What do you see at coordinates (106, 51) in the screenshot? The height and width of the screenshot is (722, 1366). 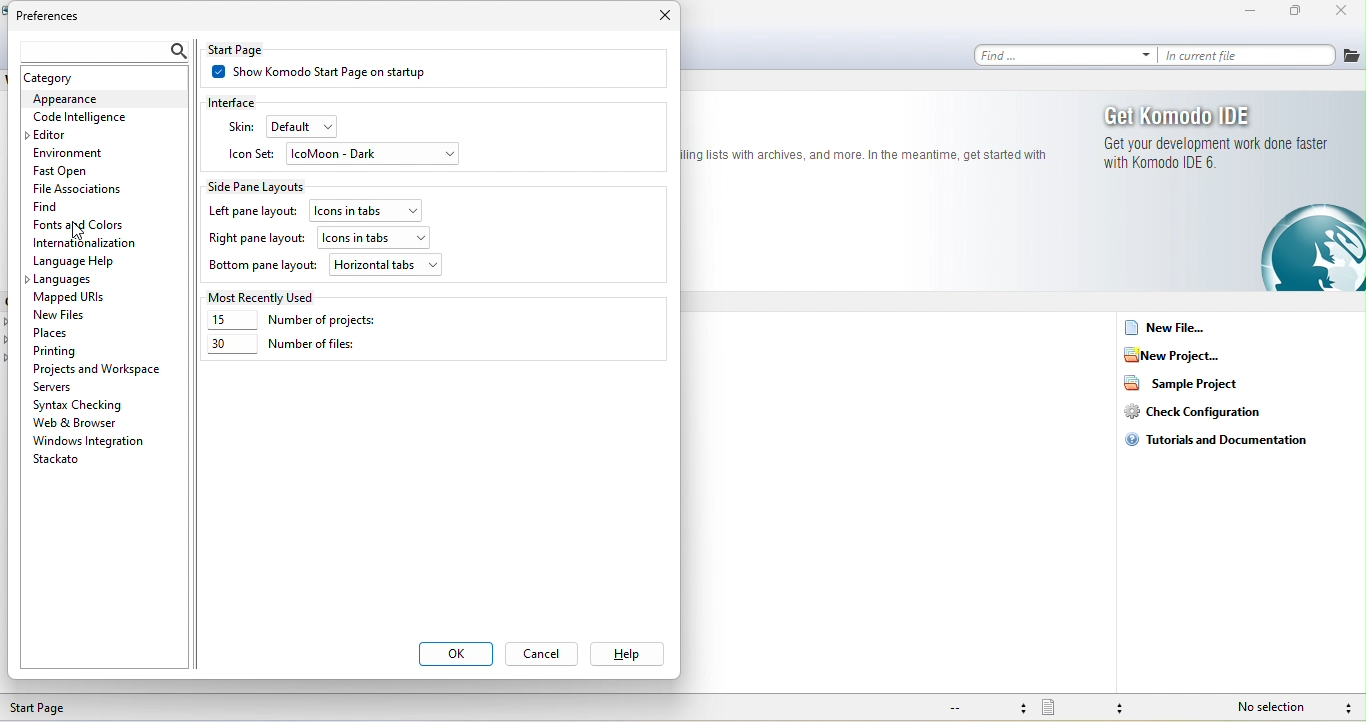 I see `search bar` at bounding box center [106, 51].